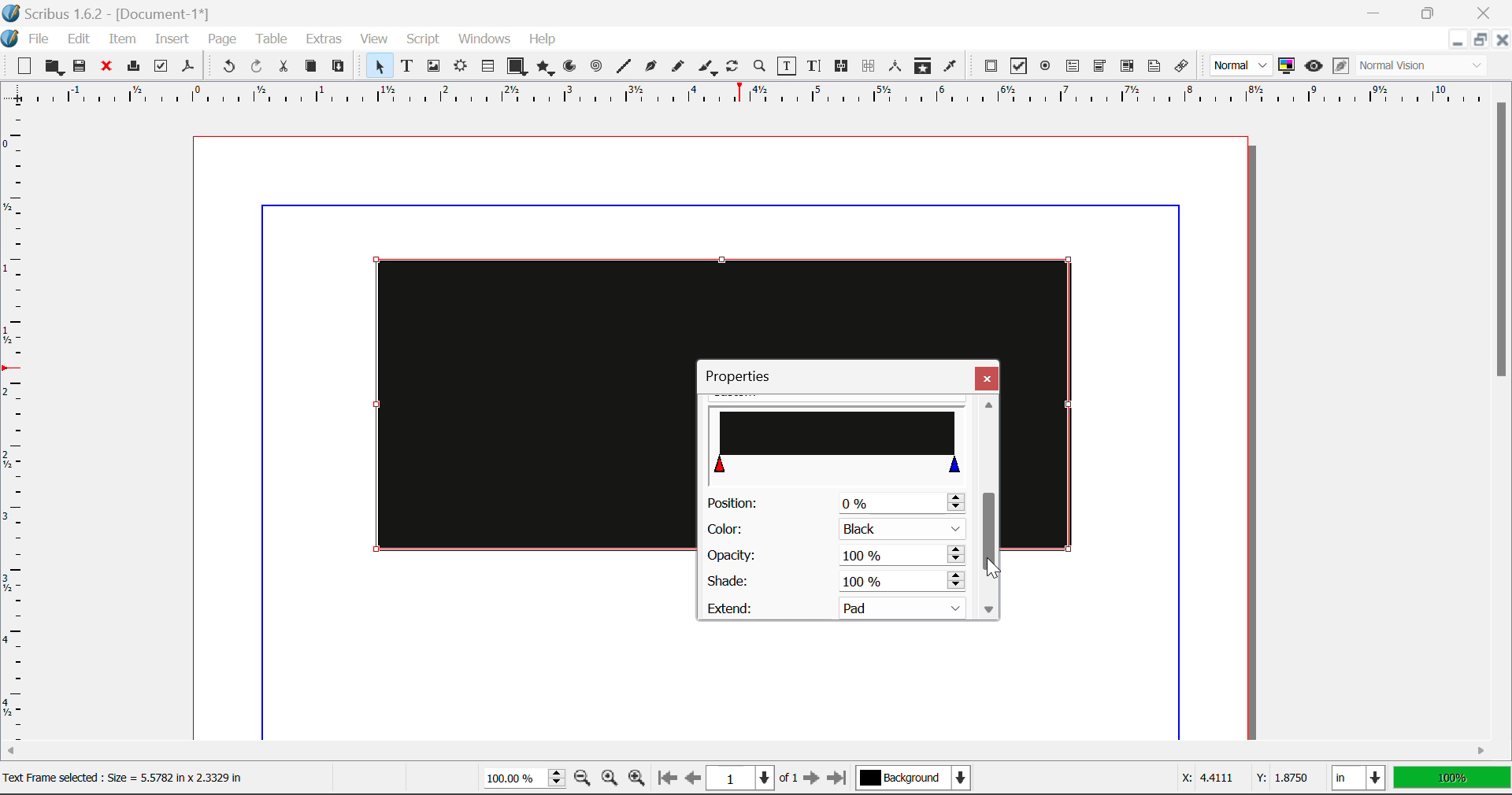  I want to click on Scroll Bar, so click(988, 508).